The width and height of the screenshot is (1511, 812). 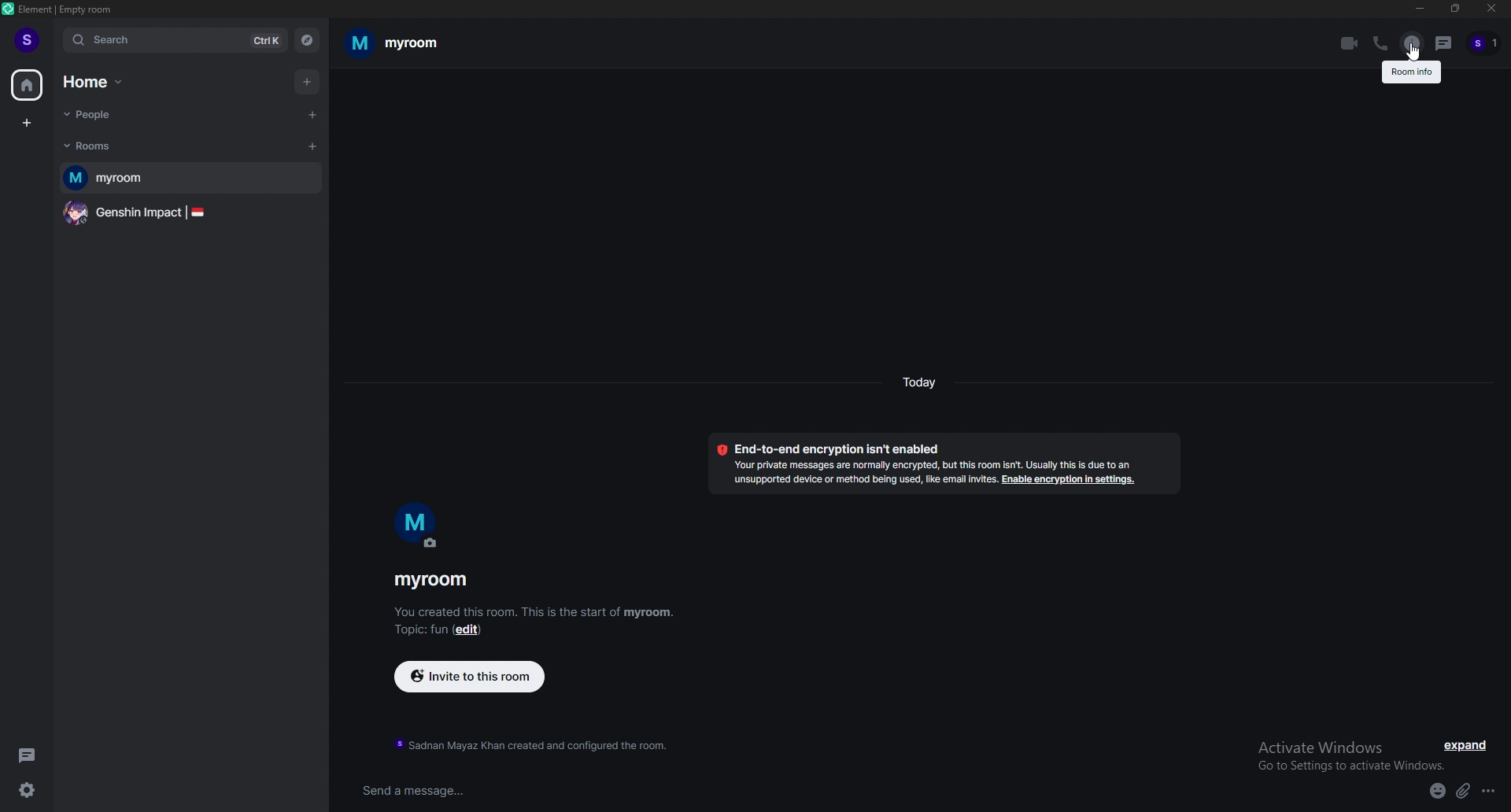 What do you see at coordinates (484, 790) in the screenshot?
I see `send a message` at bounding box center [484, 790].